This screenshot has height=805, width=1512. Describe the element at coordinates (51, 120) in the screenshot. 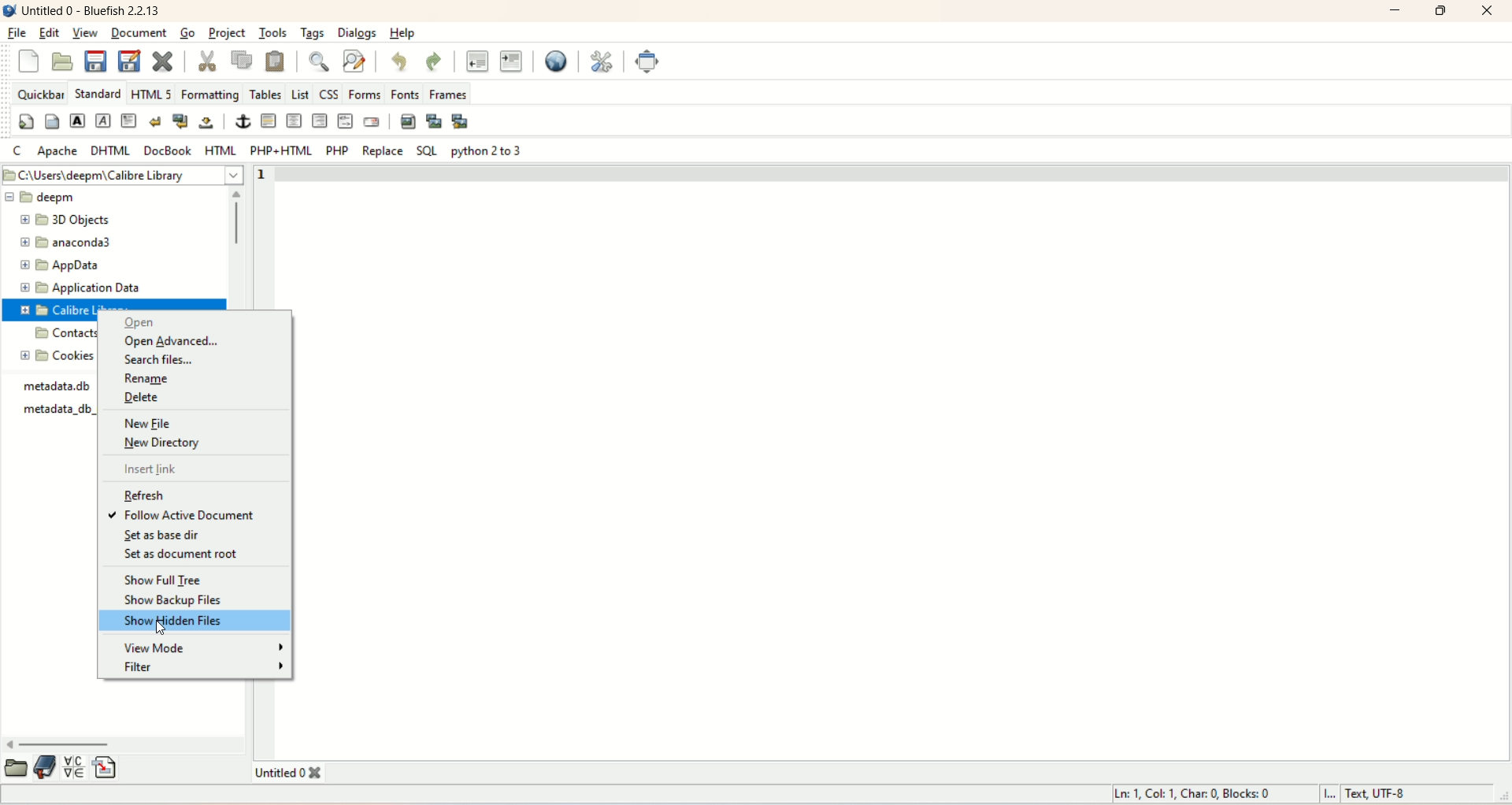

I see `body` at that location.